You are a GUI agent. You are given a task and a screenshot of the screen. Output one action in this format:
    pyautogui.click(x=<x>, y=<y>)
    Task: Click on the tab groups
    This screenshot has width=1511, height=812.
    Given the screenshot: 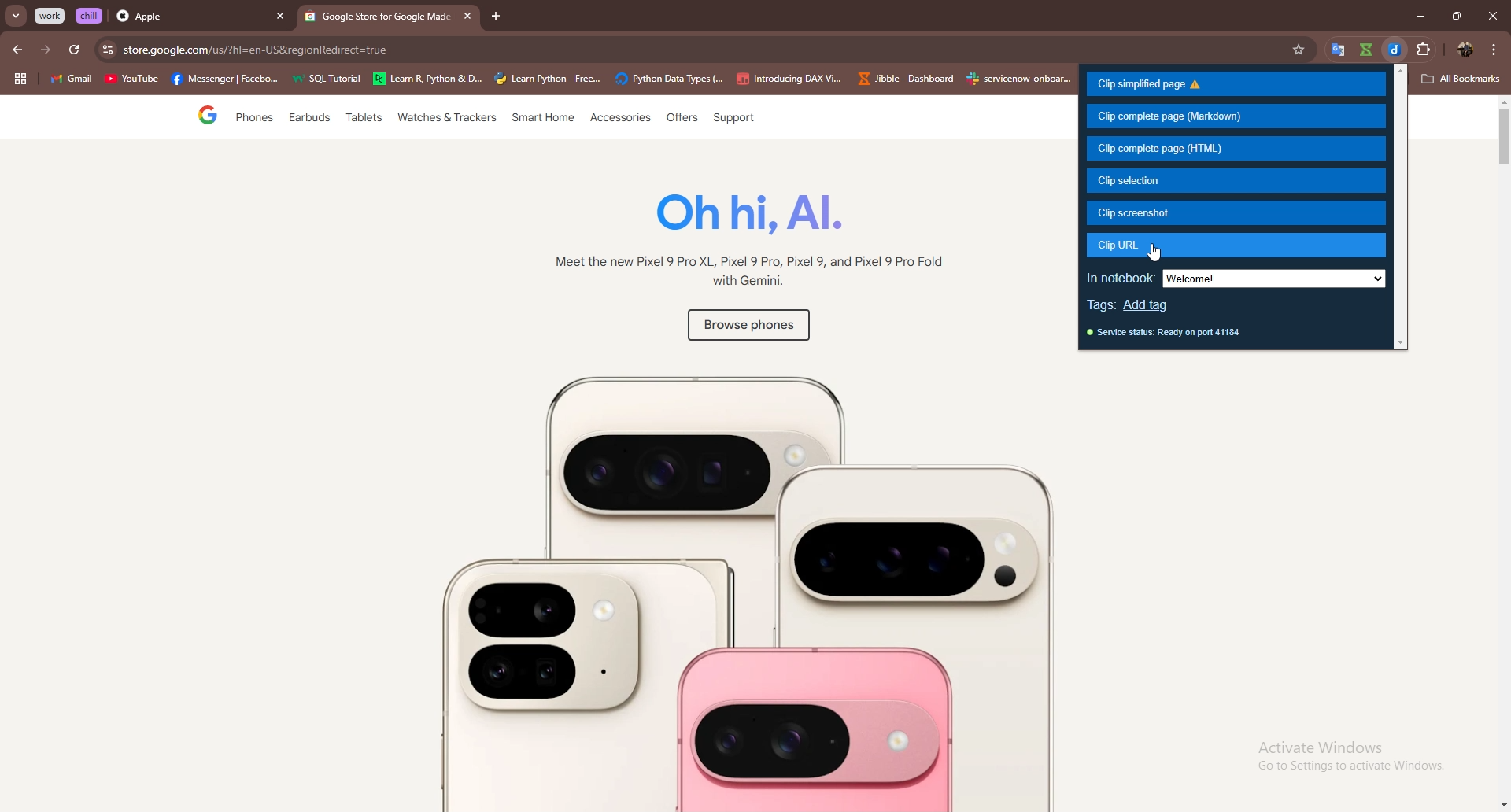 What is the action you would take?
    pyautogui.click(x=20, y=79)
    